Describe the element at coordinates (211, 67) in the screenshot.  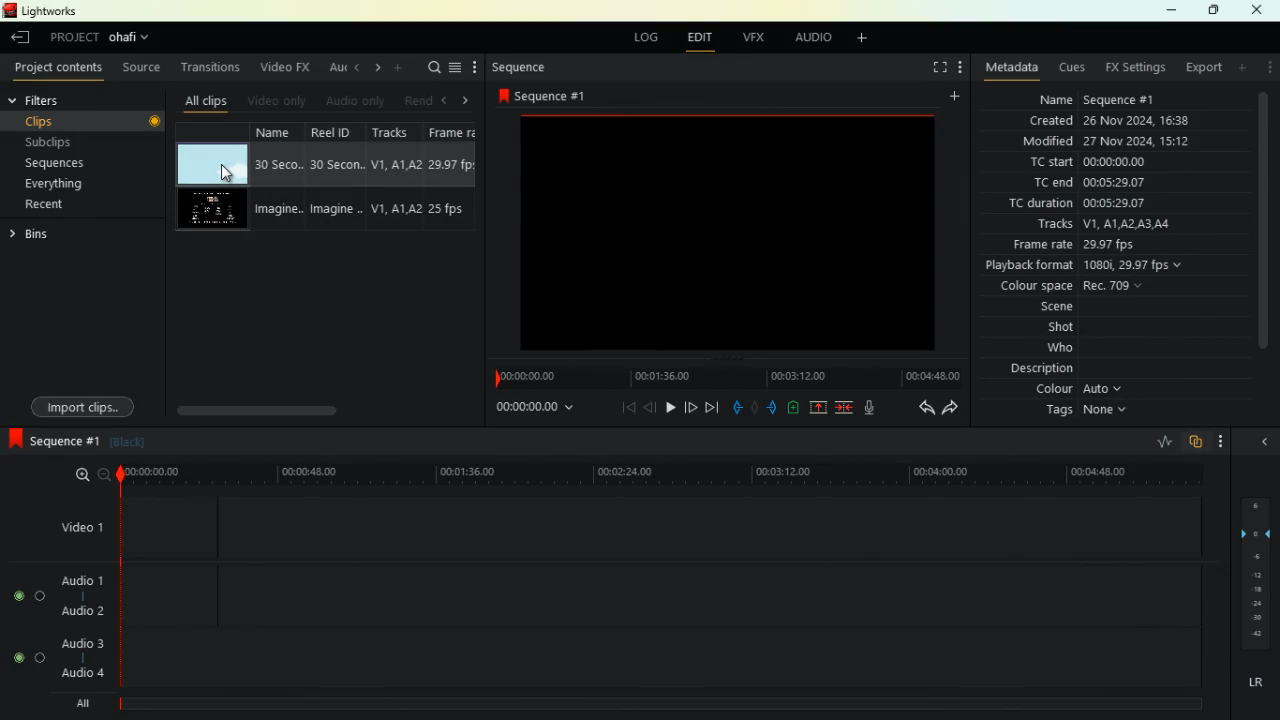
I see `transitions` at that location.